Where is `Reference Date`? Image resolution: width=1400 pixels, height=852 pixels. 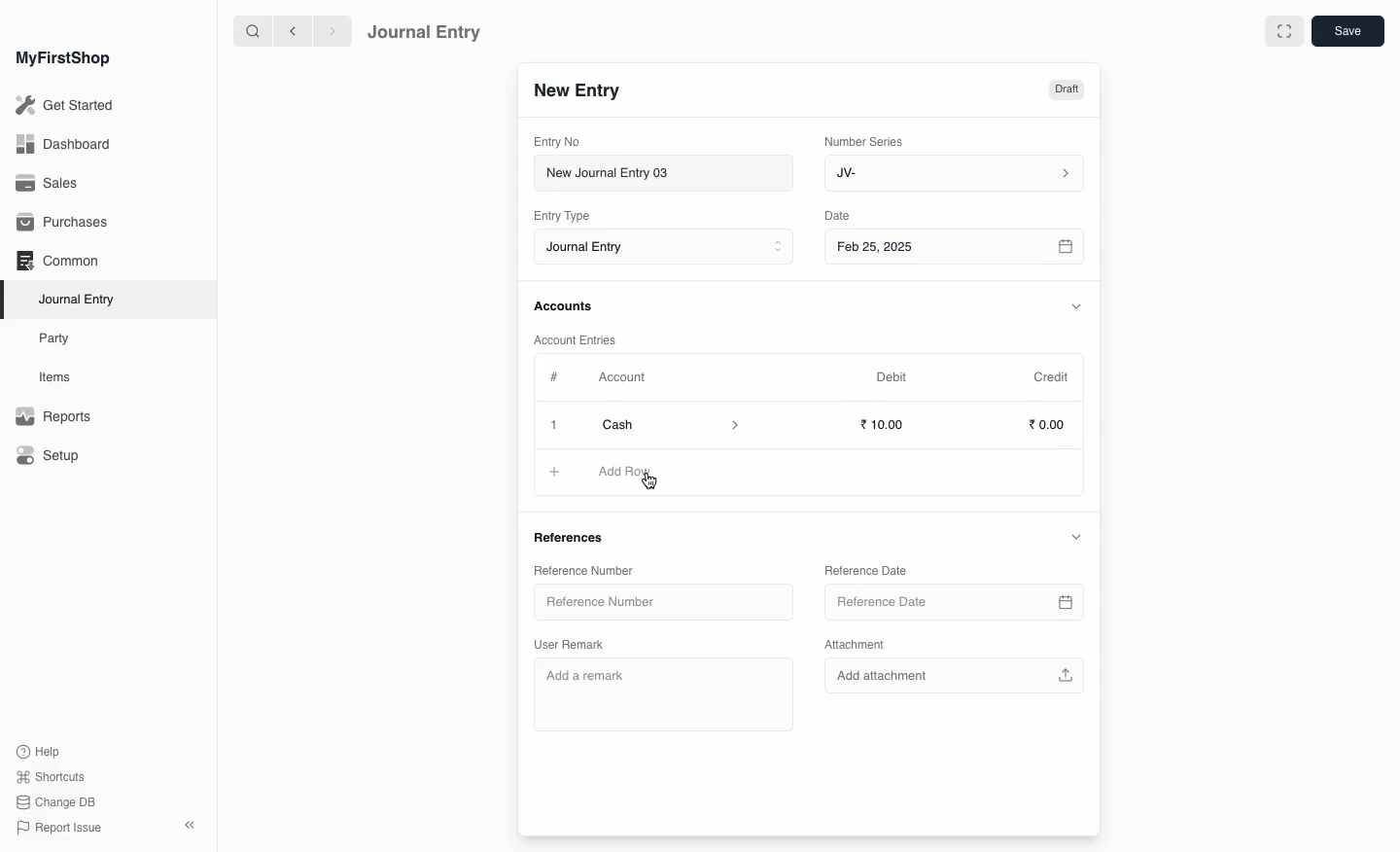
Reference Date is located at coordinates (954, 601).